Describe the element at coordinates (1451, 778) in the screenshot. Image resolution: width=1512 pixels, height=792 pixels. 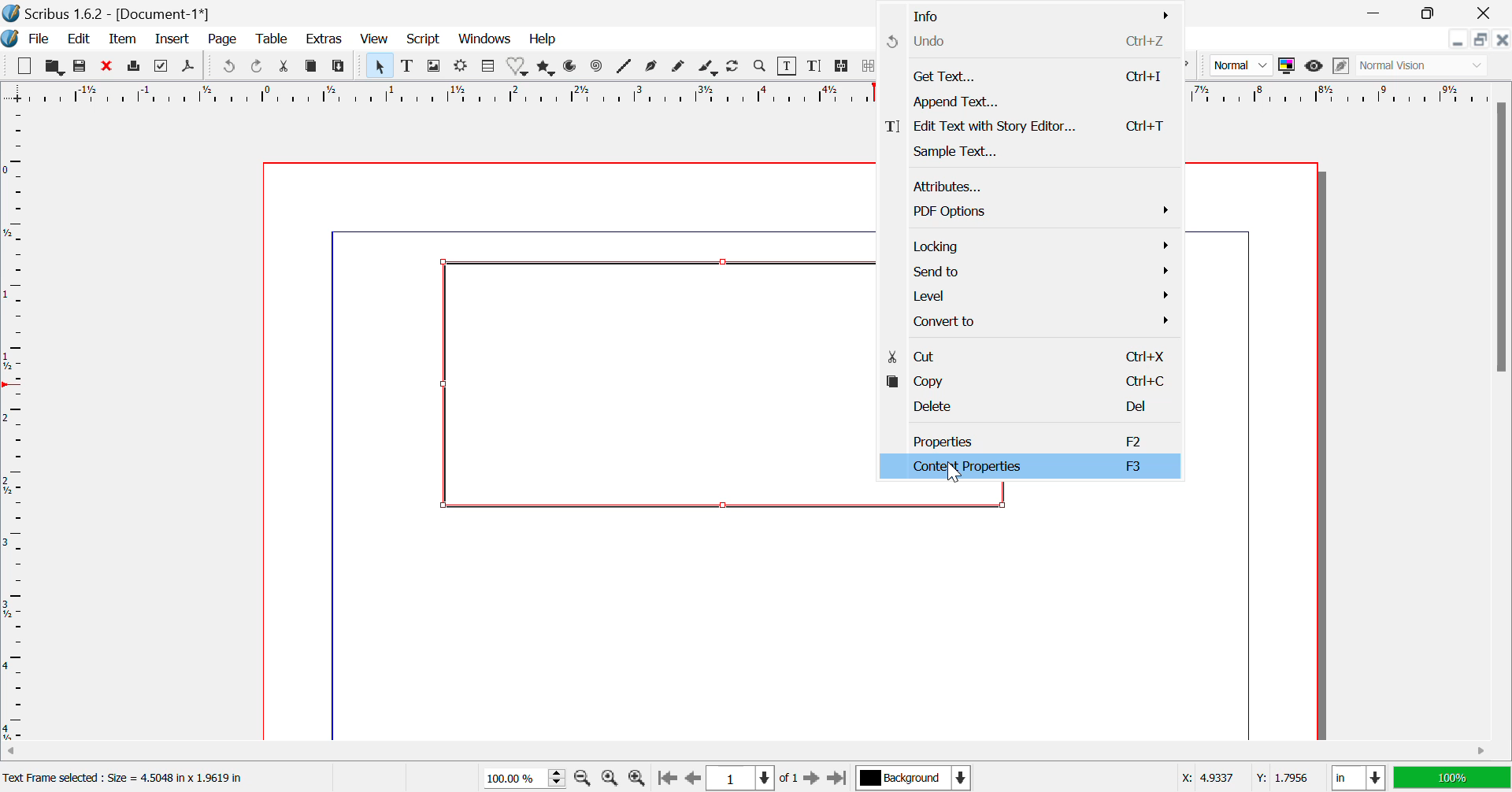
I see `100%` at that location.